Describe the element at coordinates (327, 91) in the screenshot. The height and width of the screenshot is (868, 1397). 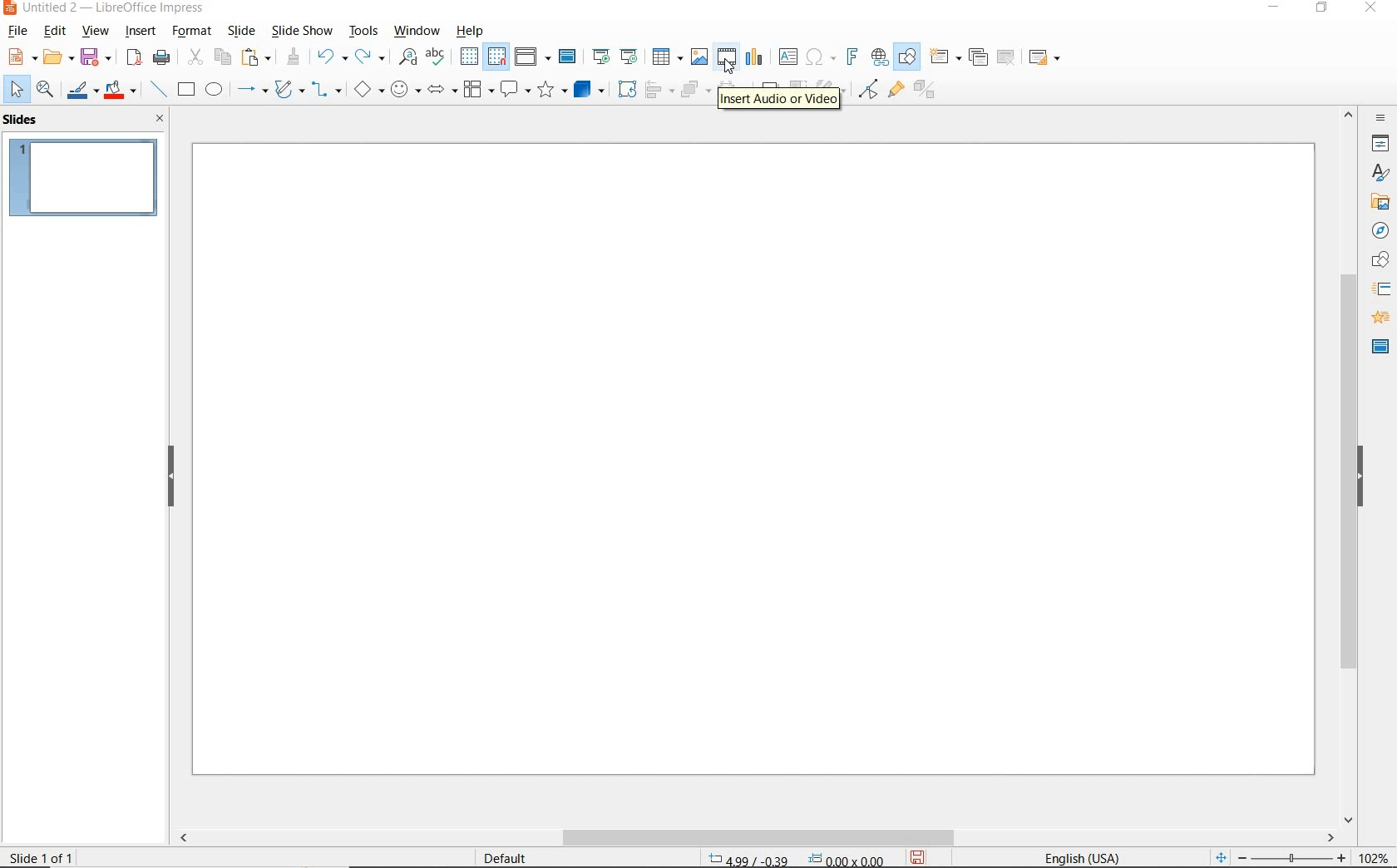
I see `CONNECTORS` at that location.